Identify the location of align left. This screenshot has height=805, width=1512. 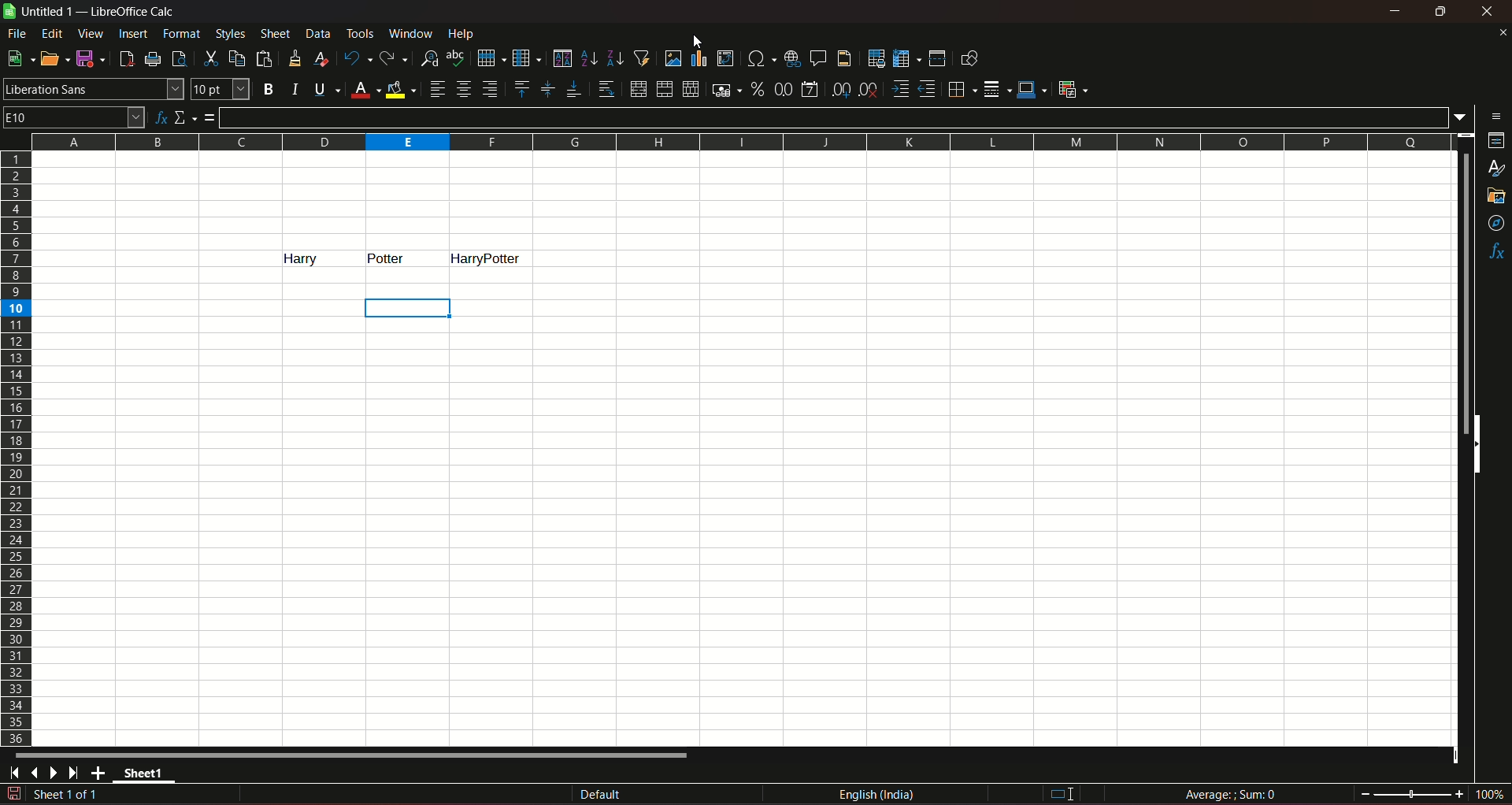
(437, 89).